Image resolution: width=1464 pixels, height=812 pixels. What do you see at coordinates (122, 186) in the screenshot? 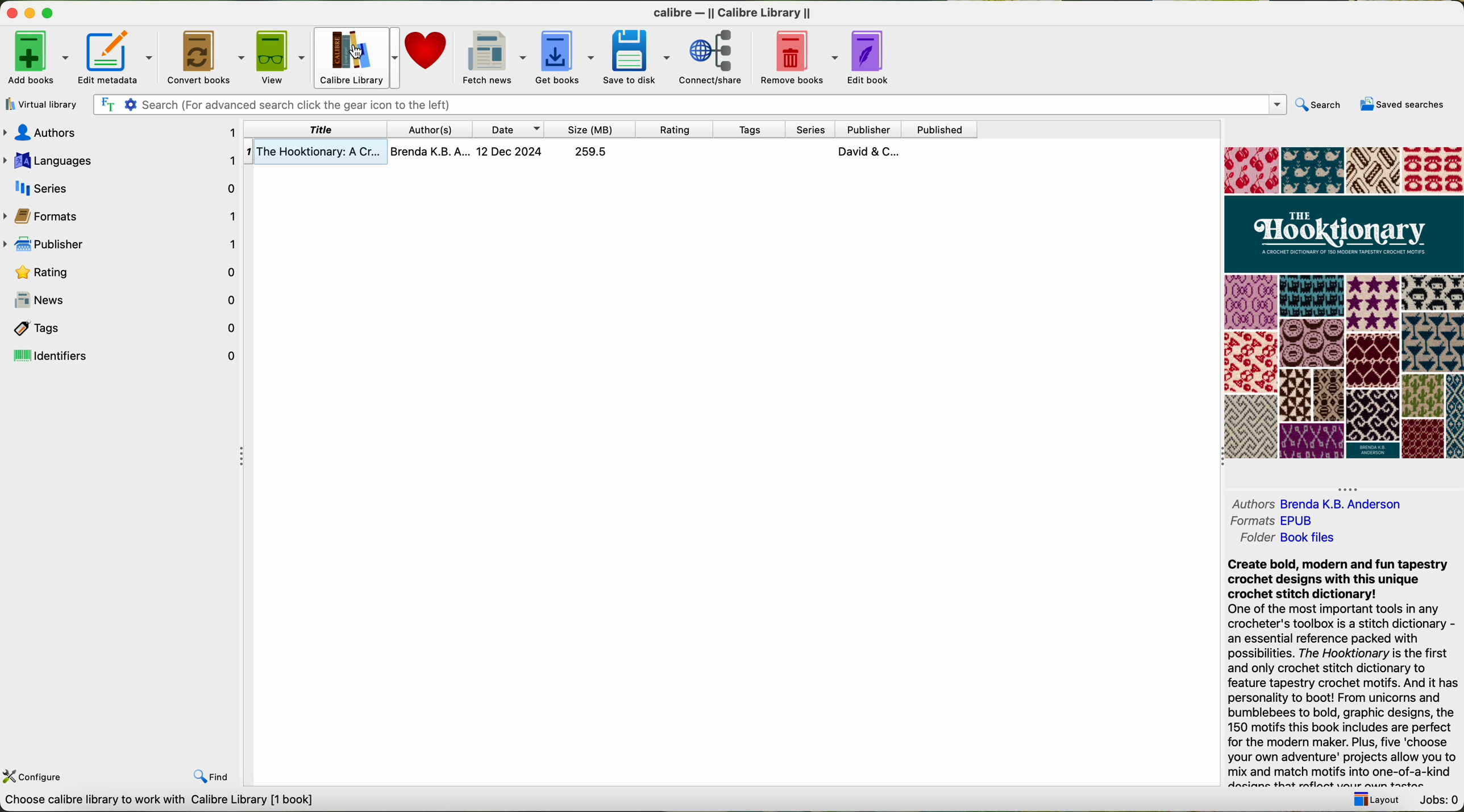
I see `series` at bounding box center [122, 186].